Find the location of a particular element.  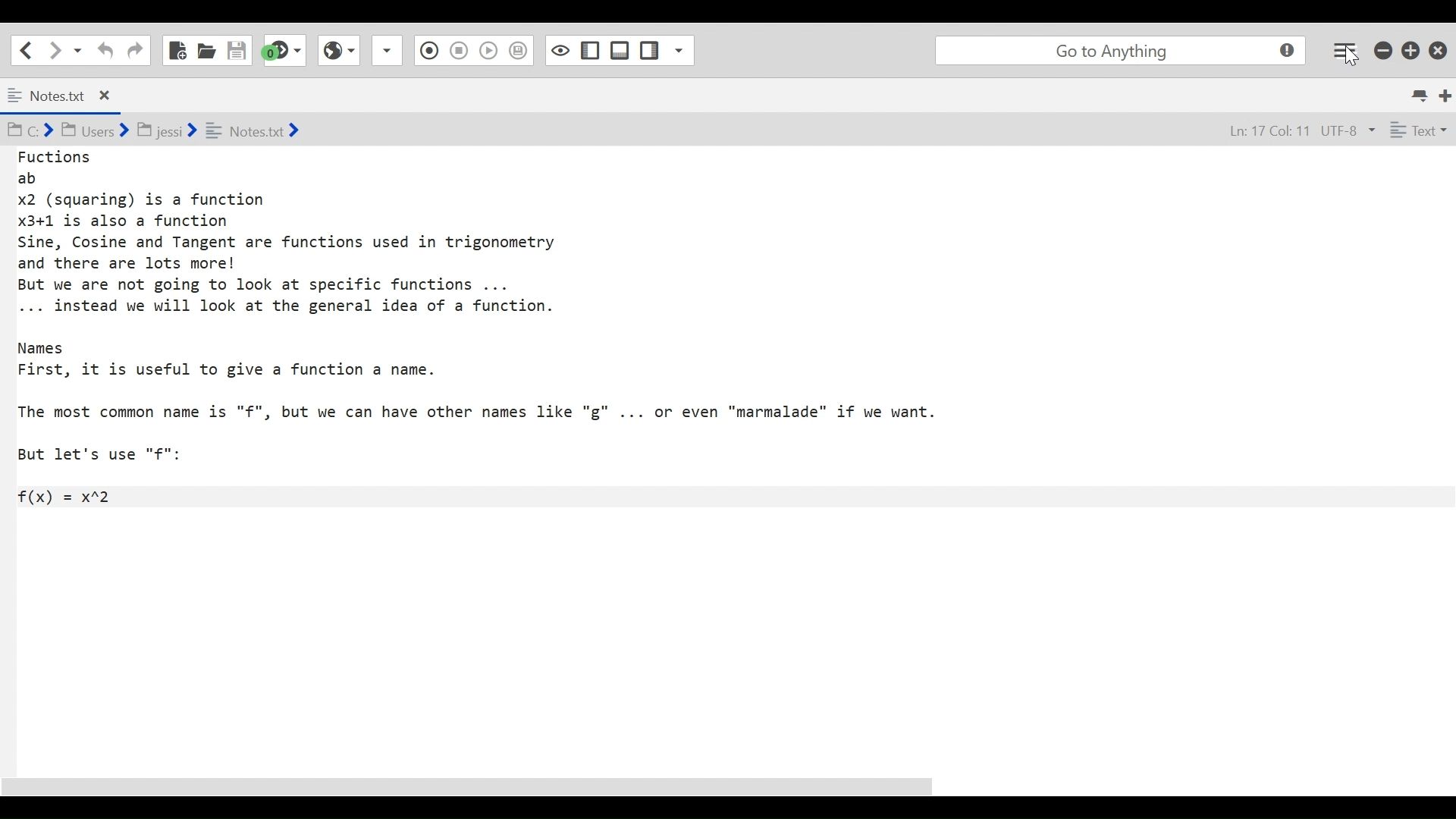

Fuctions

ab

x2 (squaring) is a function

x3+1 is also a function

Sine, Cosine and Tangent are functions used in trigonometry
and there are lots more!

But we are not going to look at specific functions ...

... instead we will look at the general idea of a function.
Names

First, it is useful to give a function a name.

The most common name is "f", but we can have other names like "g" ... or even "marmalade" if we want.
But let's use "f":

f(x) = x*2 is located at coordinates (496, 328).